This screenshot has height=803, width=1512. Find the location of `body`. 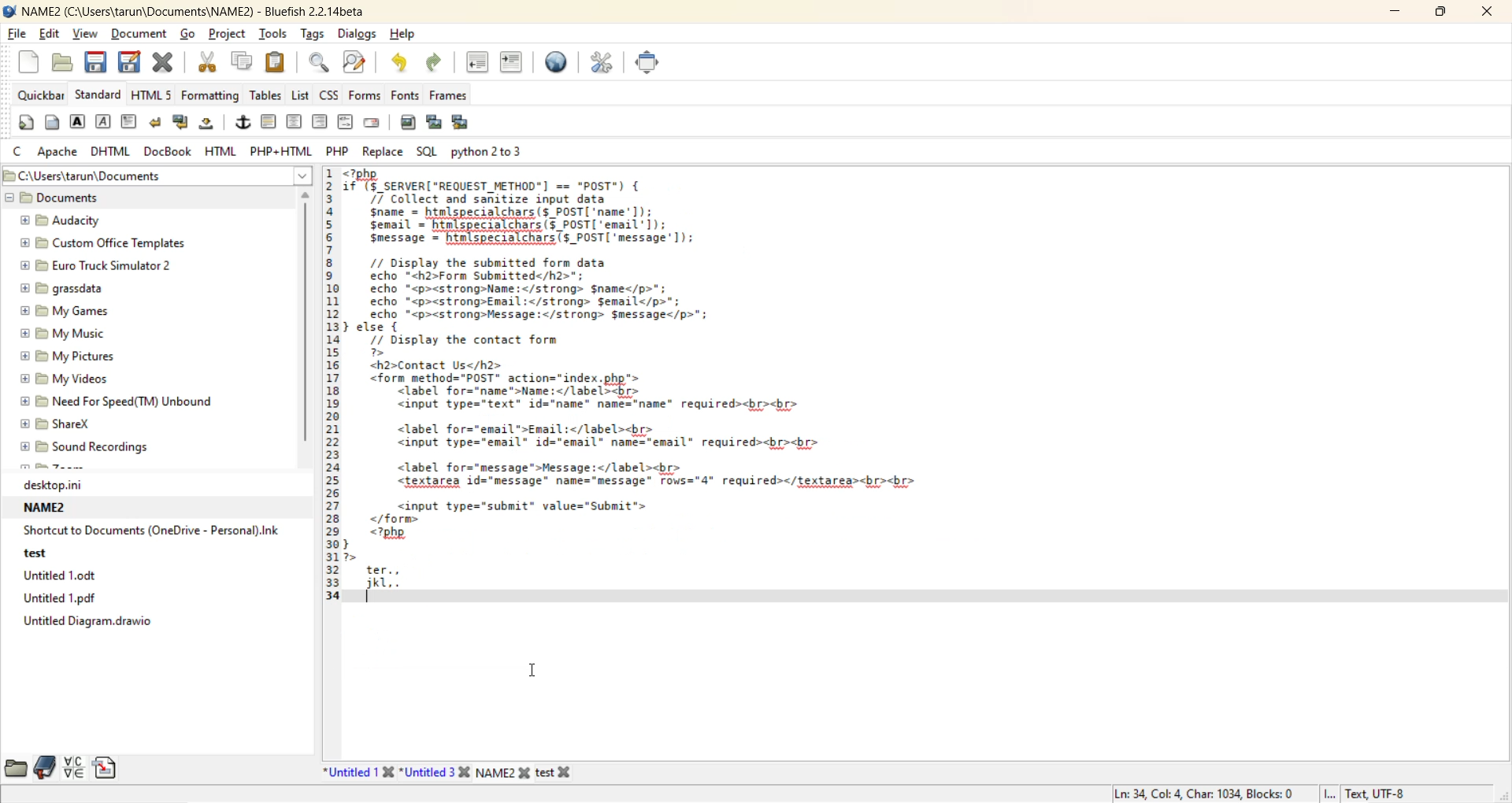

body is located at coordinates (50, 122).